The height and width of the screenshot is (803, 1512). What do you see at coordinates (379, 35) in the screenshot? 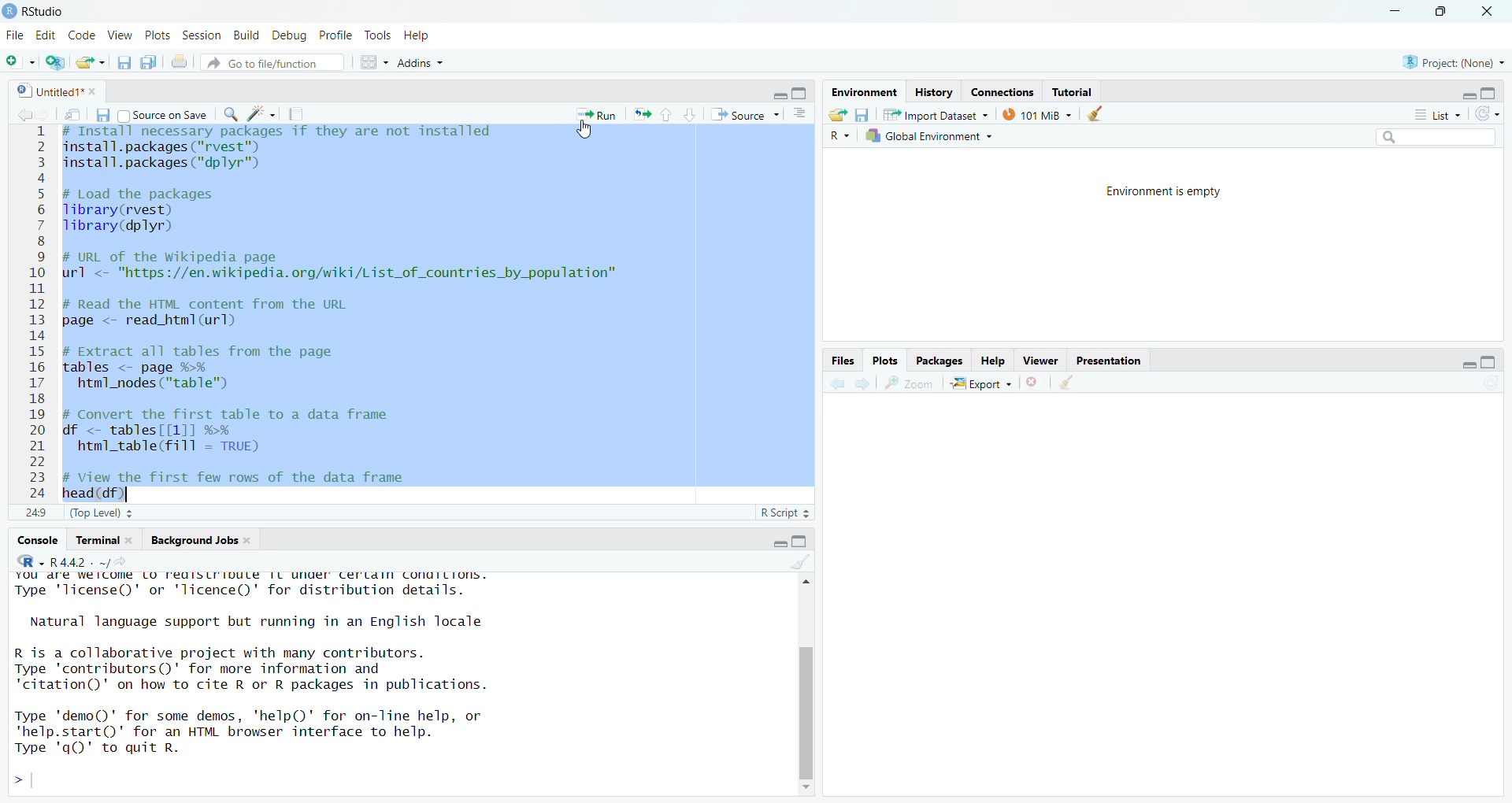
I see `Tools` at bounding box center [379, 35].